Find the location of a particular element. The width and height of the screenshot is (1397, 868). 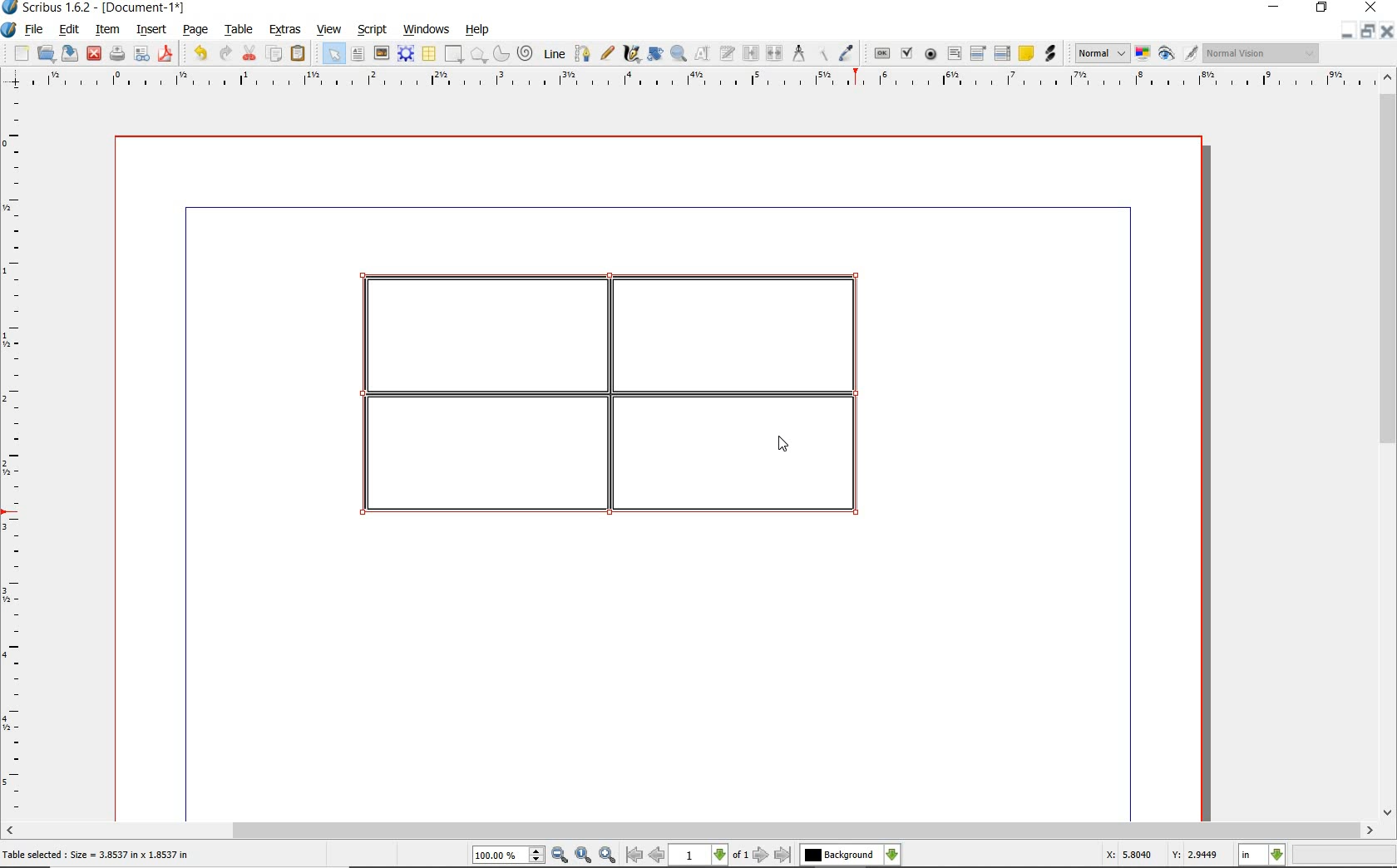

scrollbar is located at coordinates (689, 831).